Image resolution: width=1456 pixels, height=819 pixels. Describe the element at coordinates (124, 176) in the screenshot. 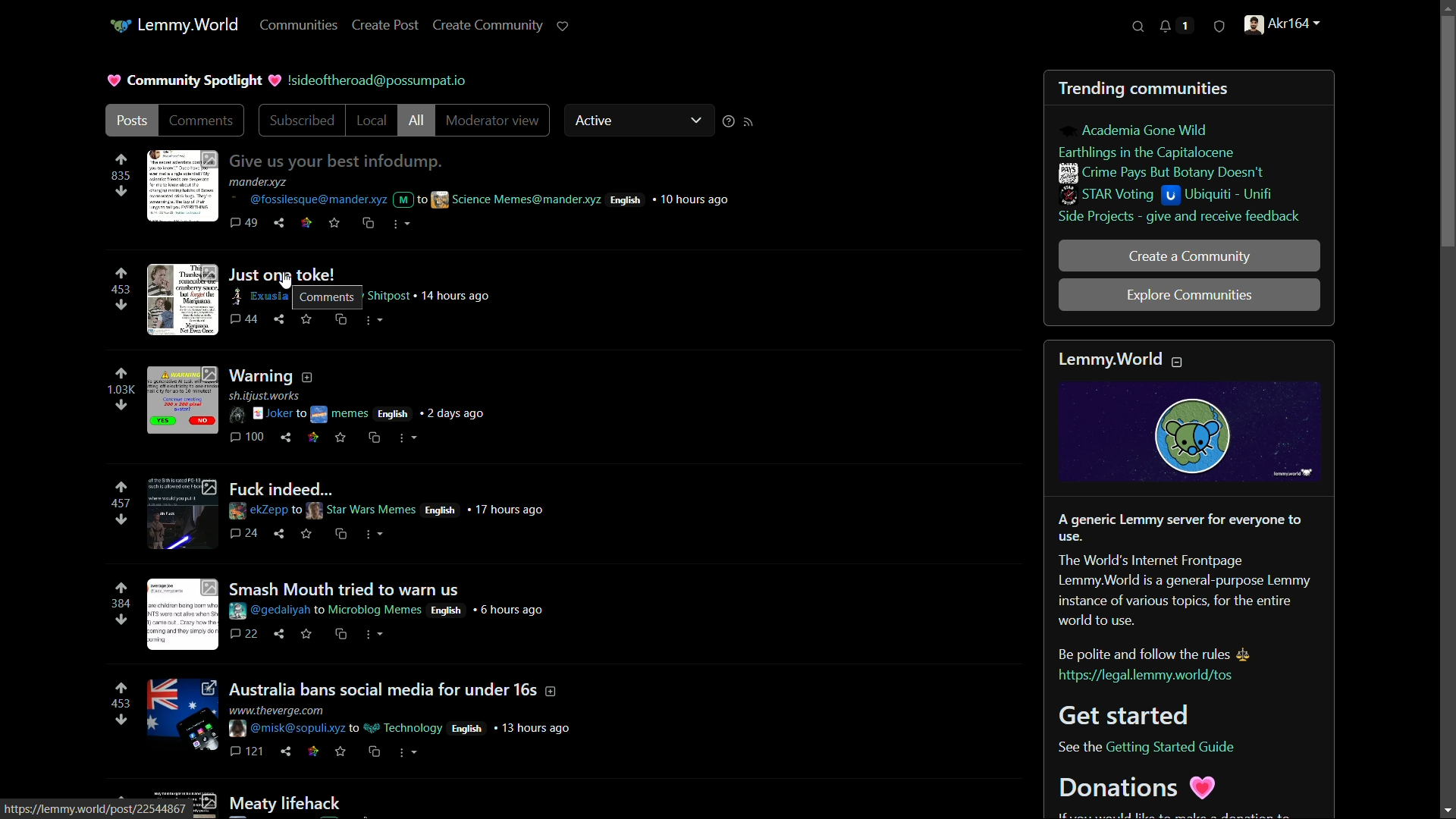

I see `835` at that location.